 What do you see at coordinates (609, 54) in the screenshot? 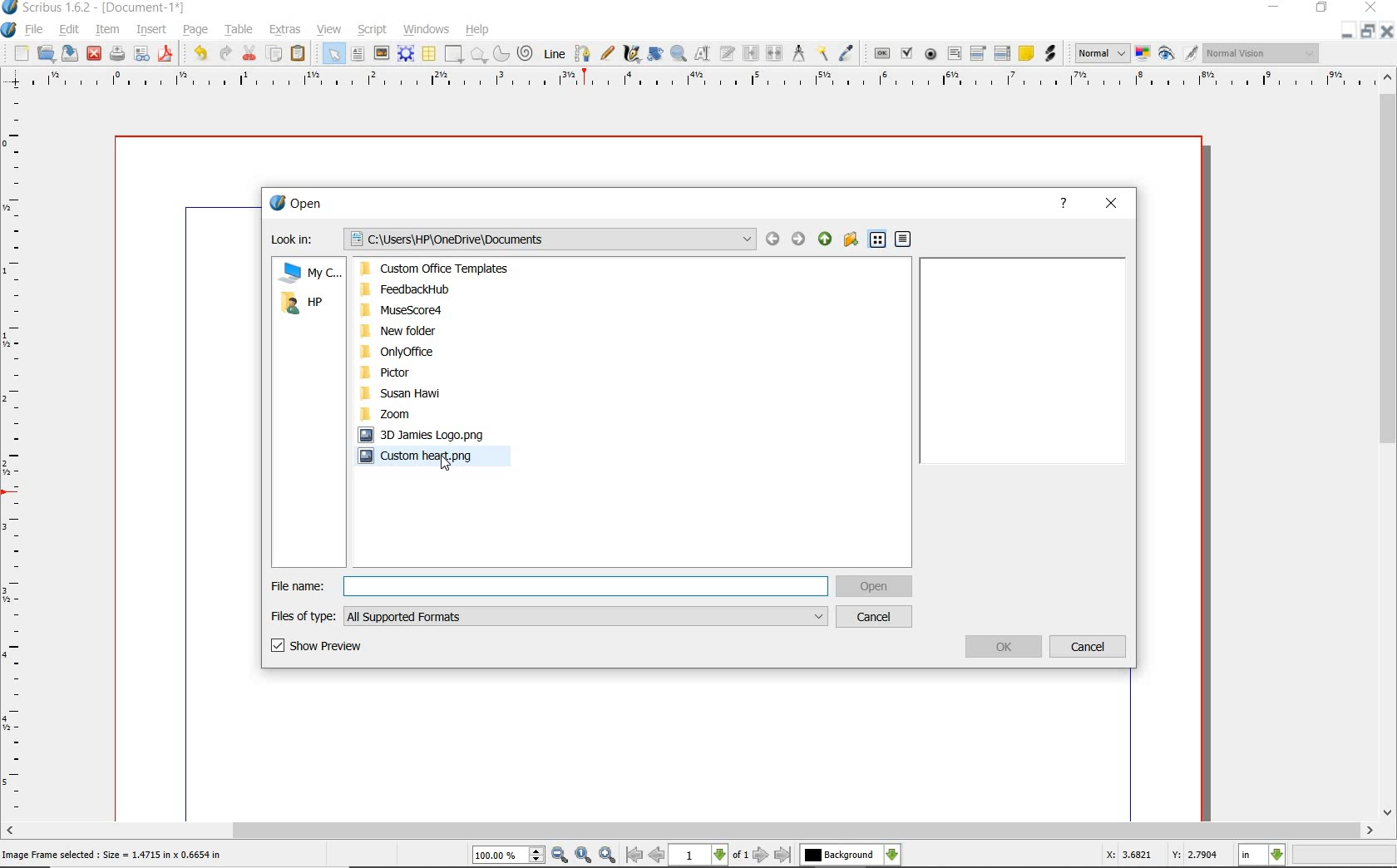
I see `freehand line` at bounding box center [609, 54].